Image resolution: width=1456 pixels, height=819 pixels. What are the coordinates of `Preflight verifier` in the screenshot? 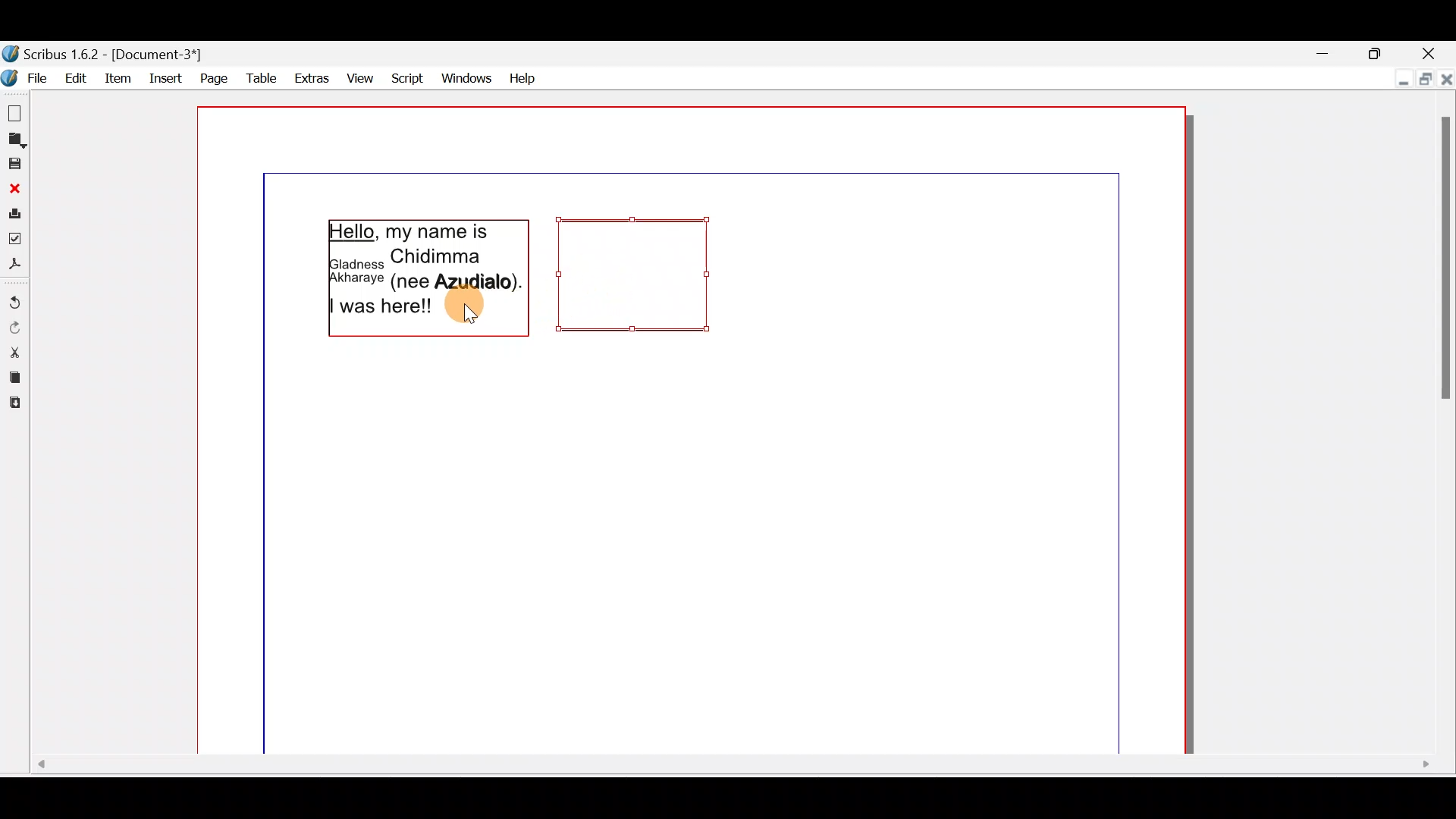 It's located at (15, 237).